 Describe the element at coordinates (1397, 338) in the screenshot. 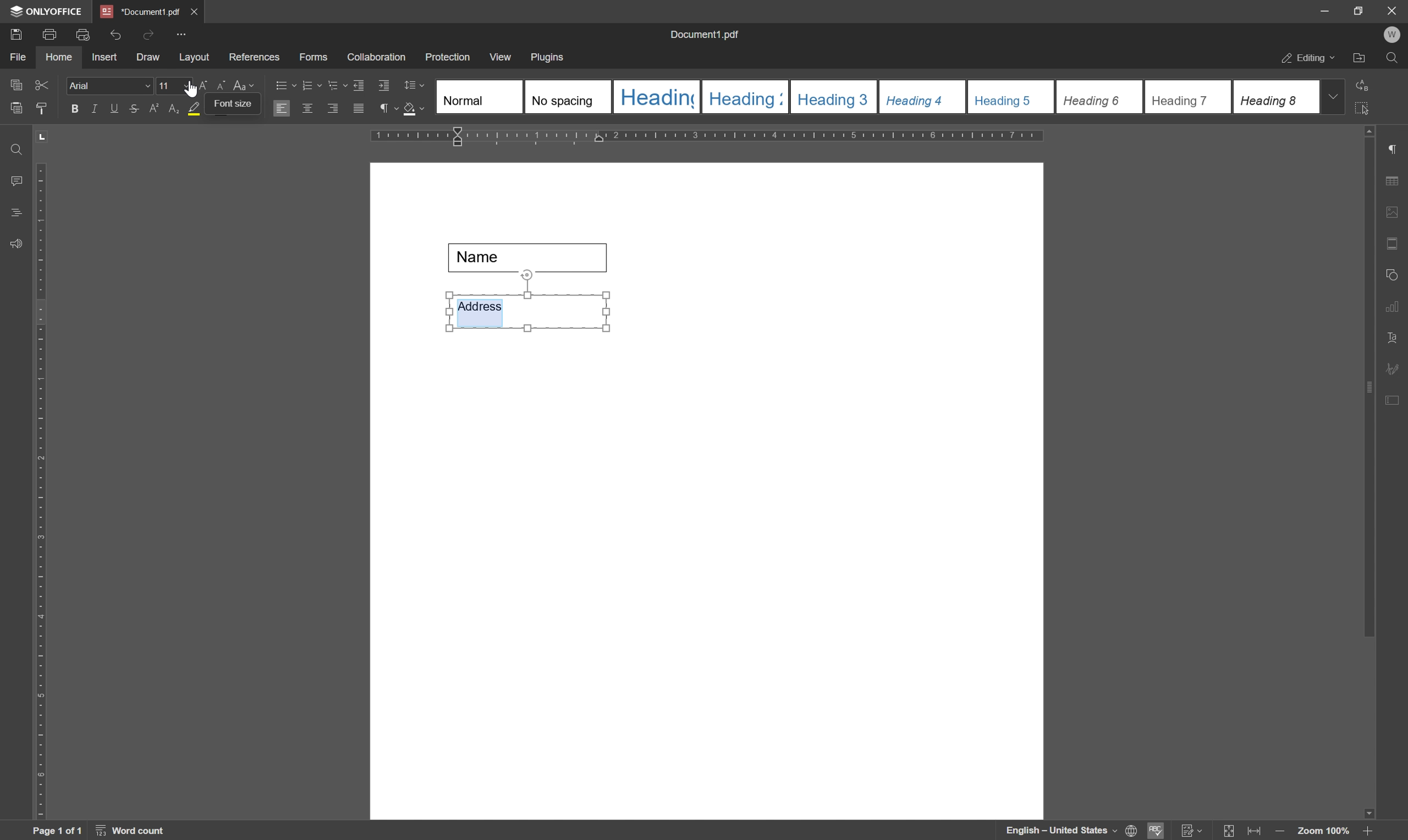

I see `text art settings` at that location.